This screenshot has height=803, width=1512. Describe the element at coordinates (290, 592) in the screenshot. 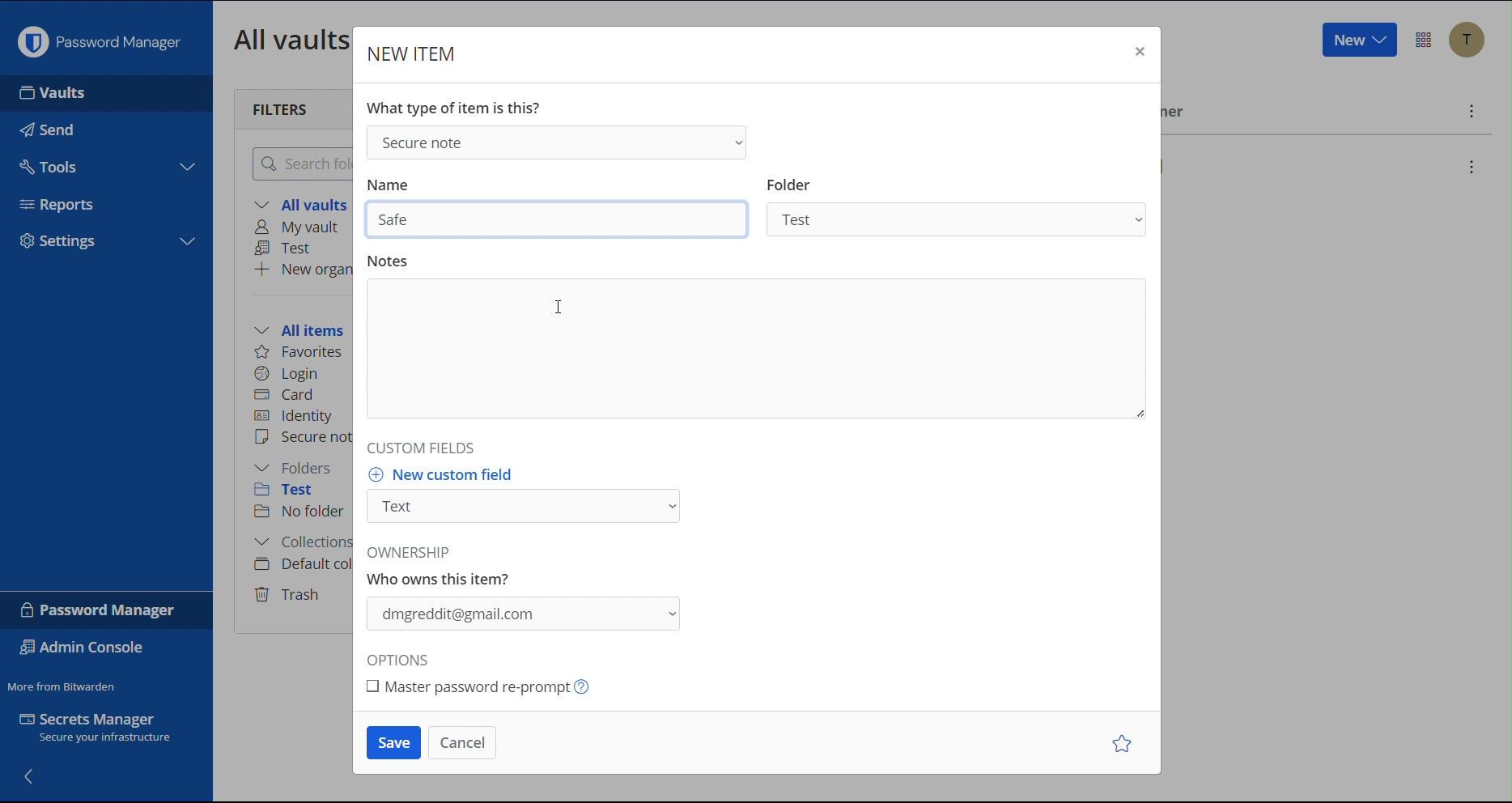

I see `Trash` at that location.